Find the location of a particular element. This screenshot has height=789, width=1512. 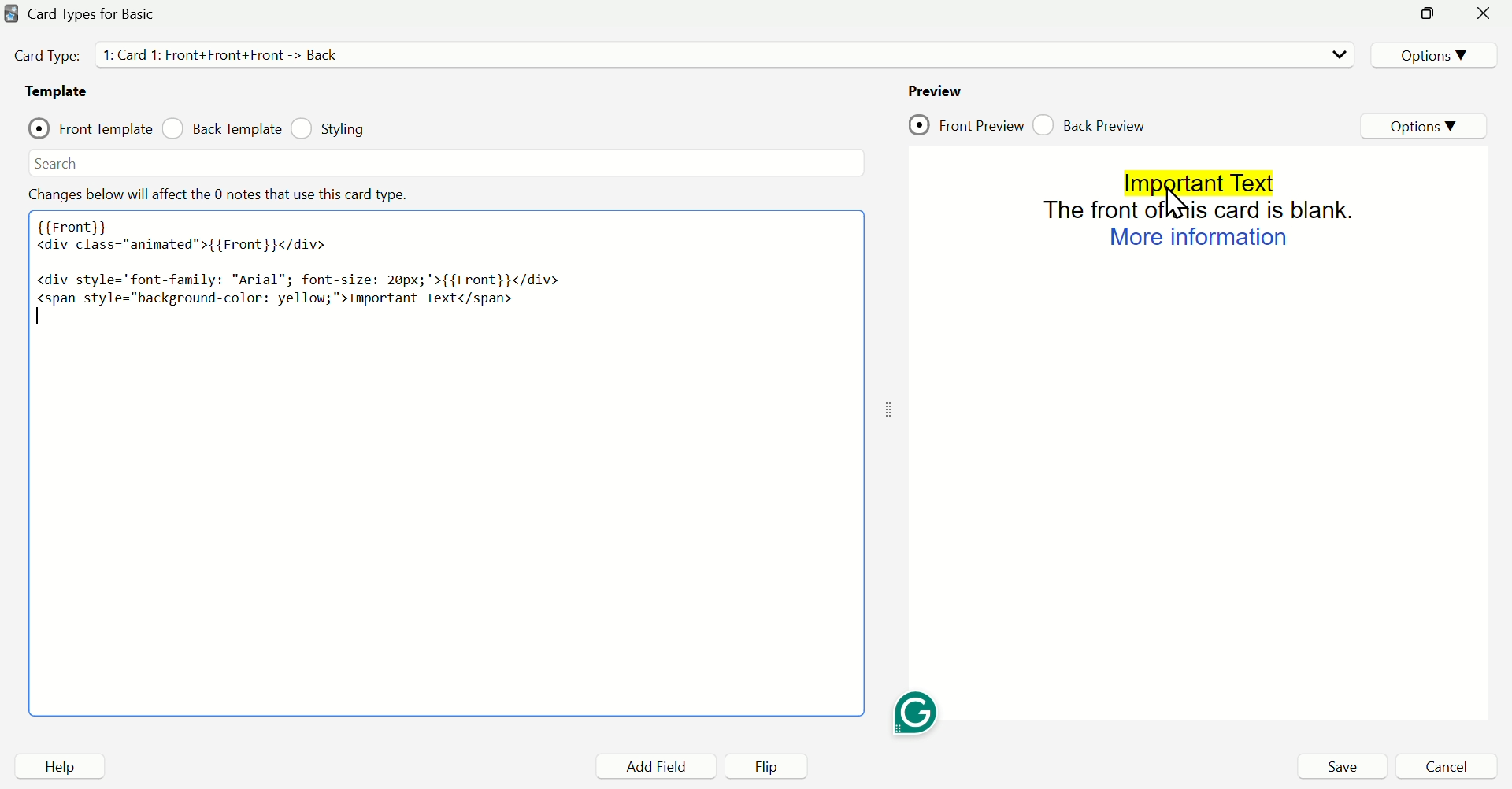

Flip is located at coordinates (759, 765).